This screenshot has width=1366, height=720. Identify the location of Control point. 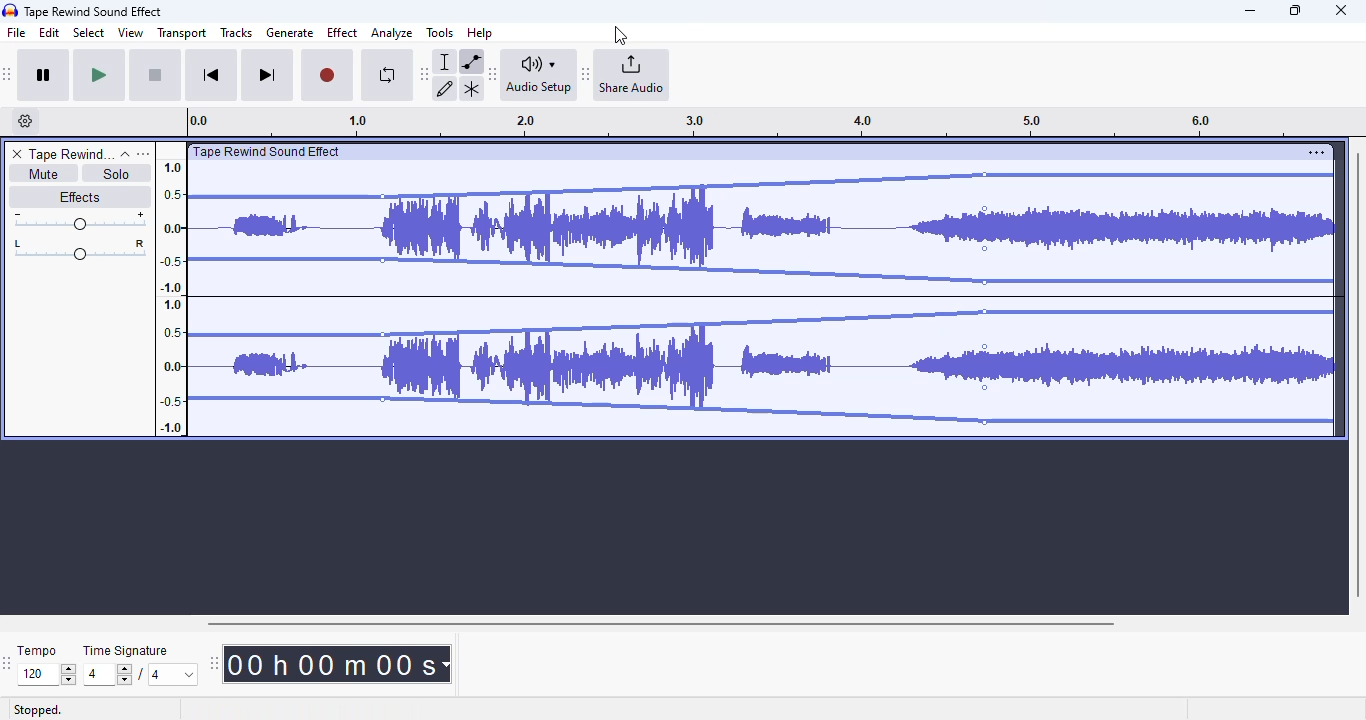
(985, 388).